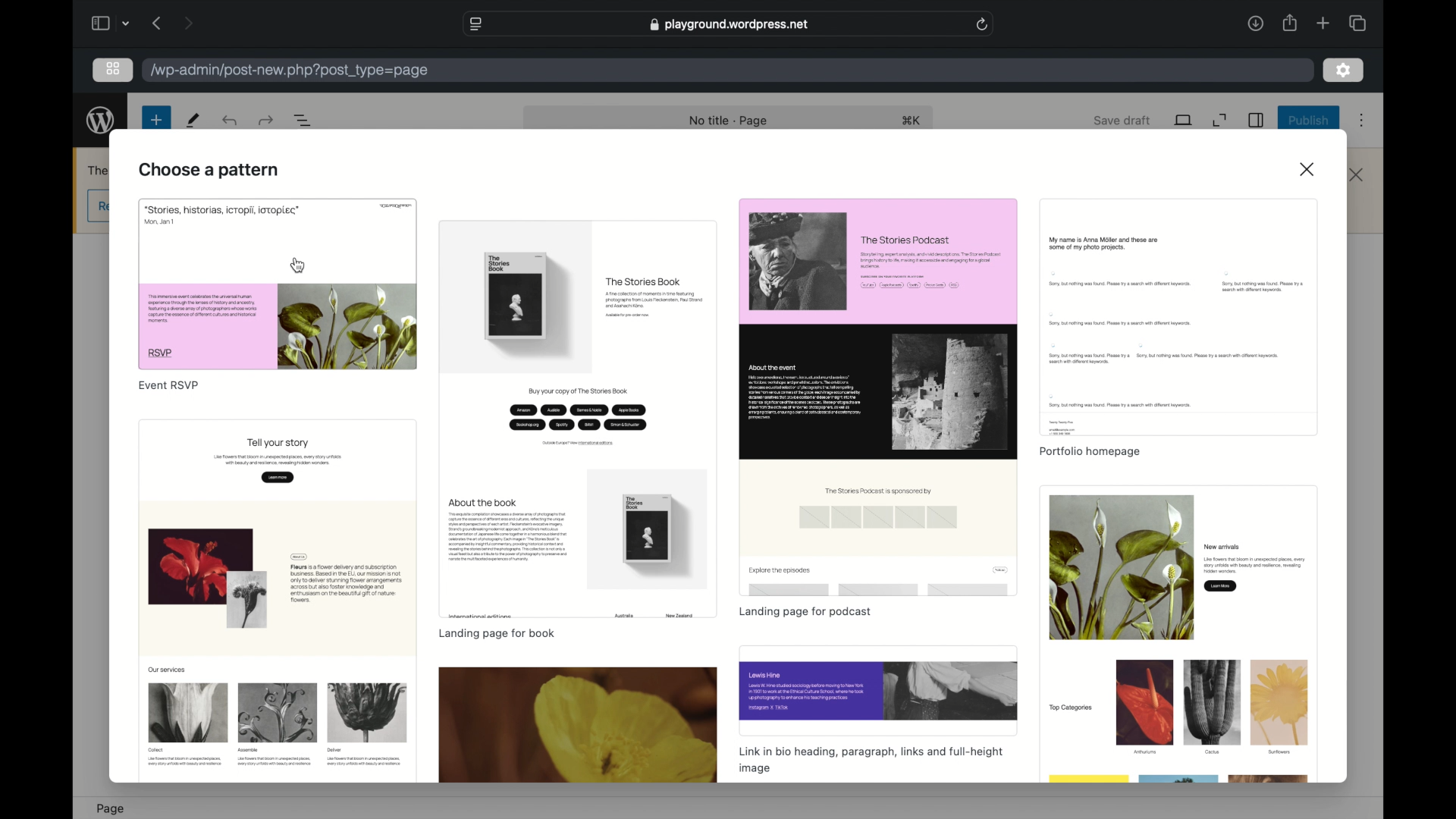 This screenshot has height=819, width=1456. I want to click on website settings, so click(476, 24).